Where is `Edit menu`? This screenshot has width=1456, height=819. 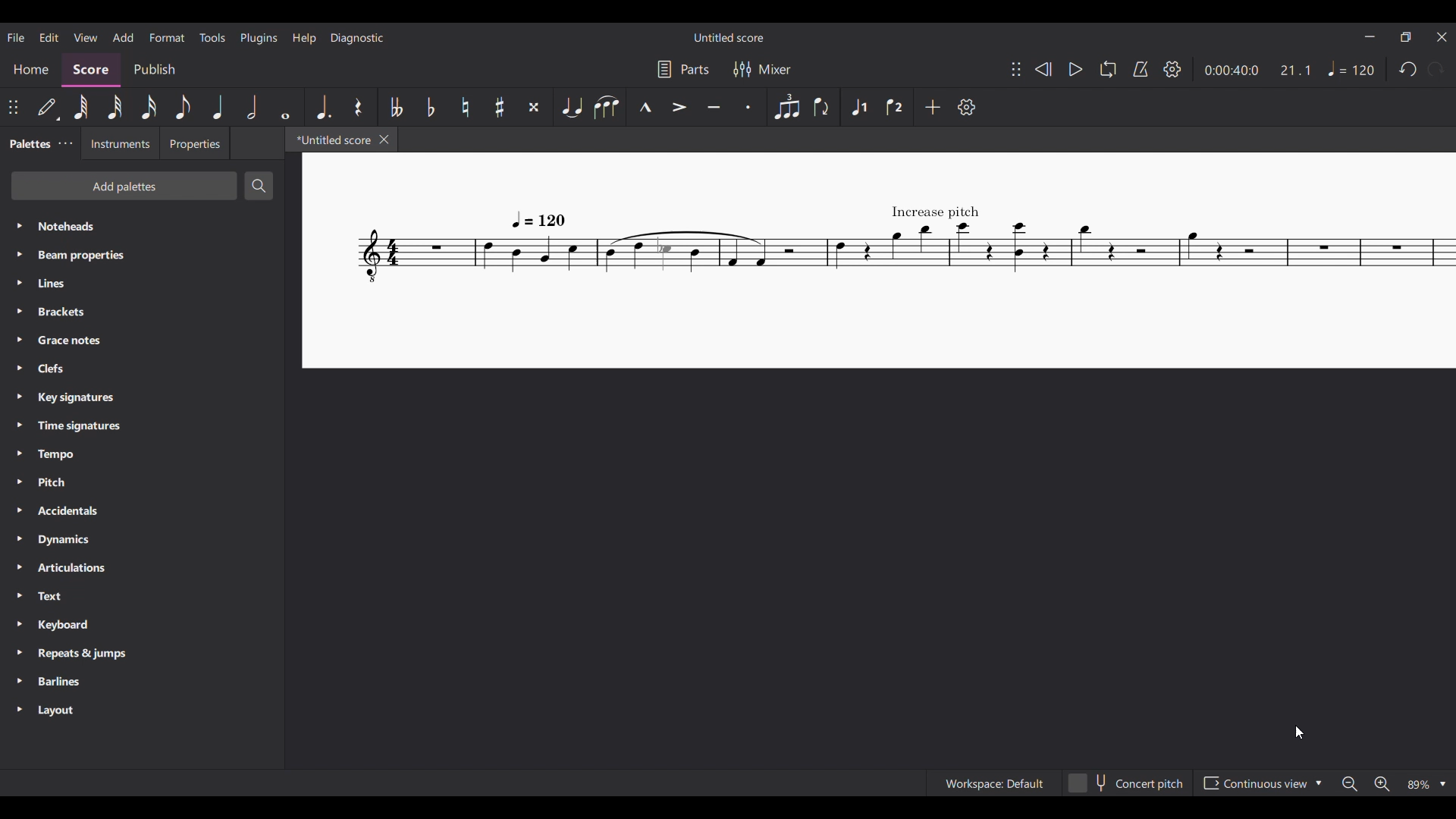
Edit menu is located at coordinates (49, 36).